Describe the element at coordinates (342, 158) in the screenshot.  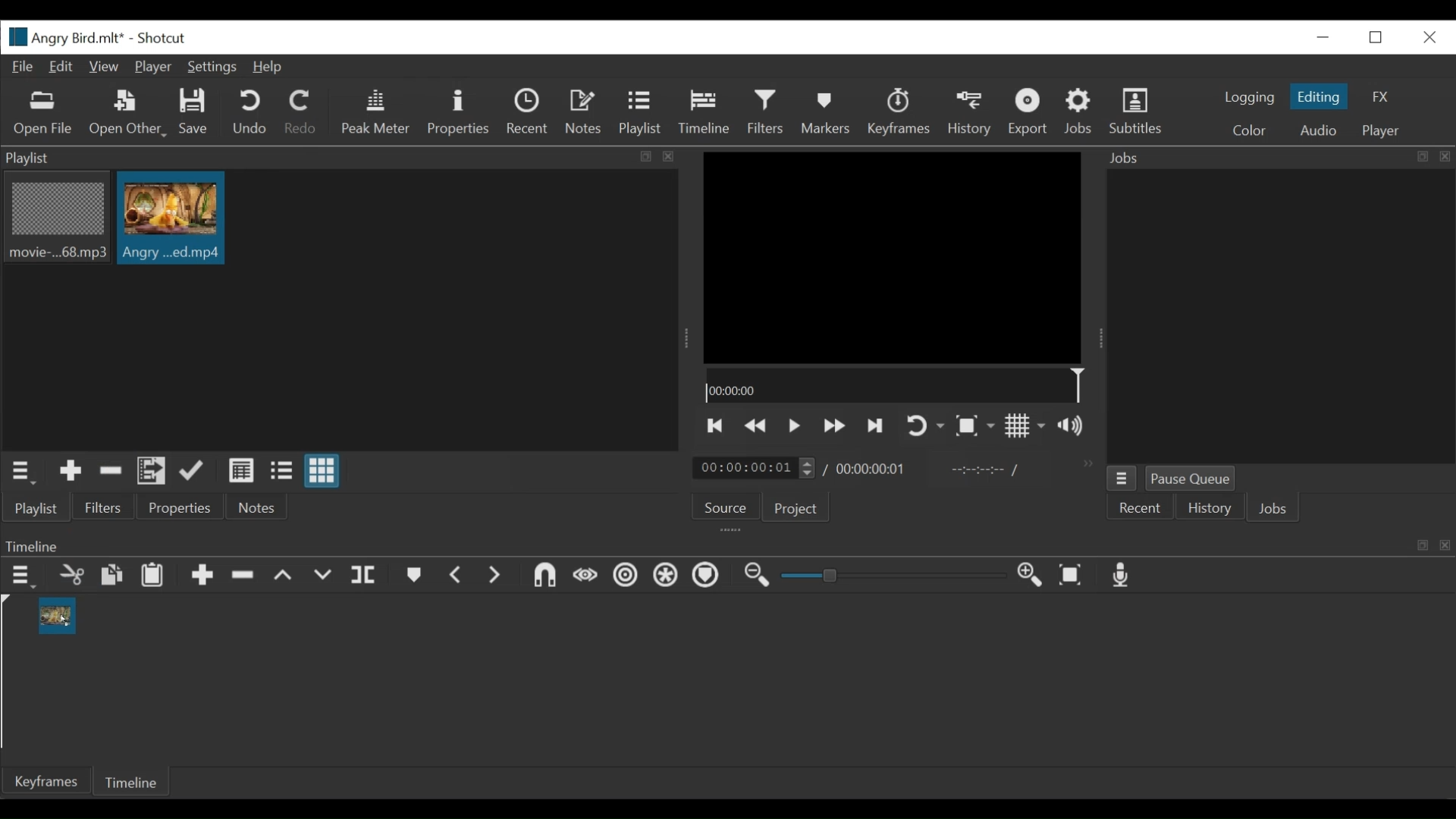
I see `Playlist panel` at that location.